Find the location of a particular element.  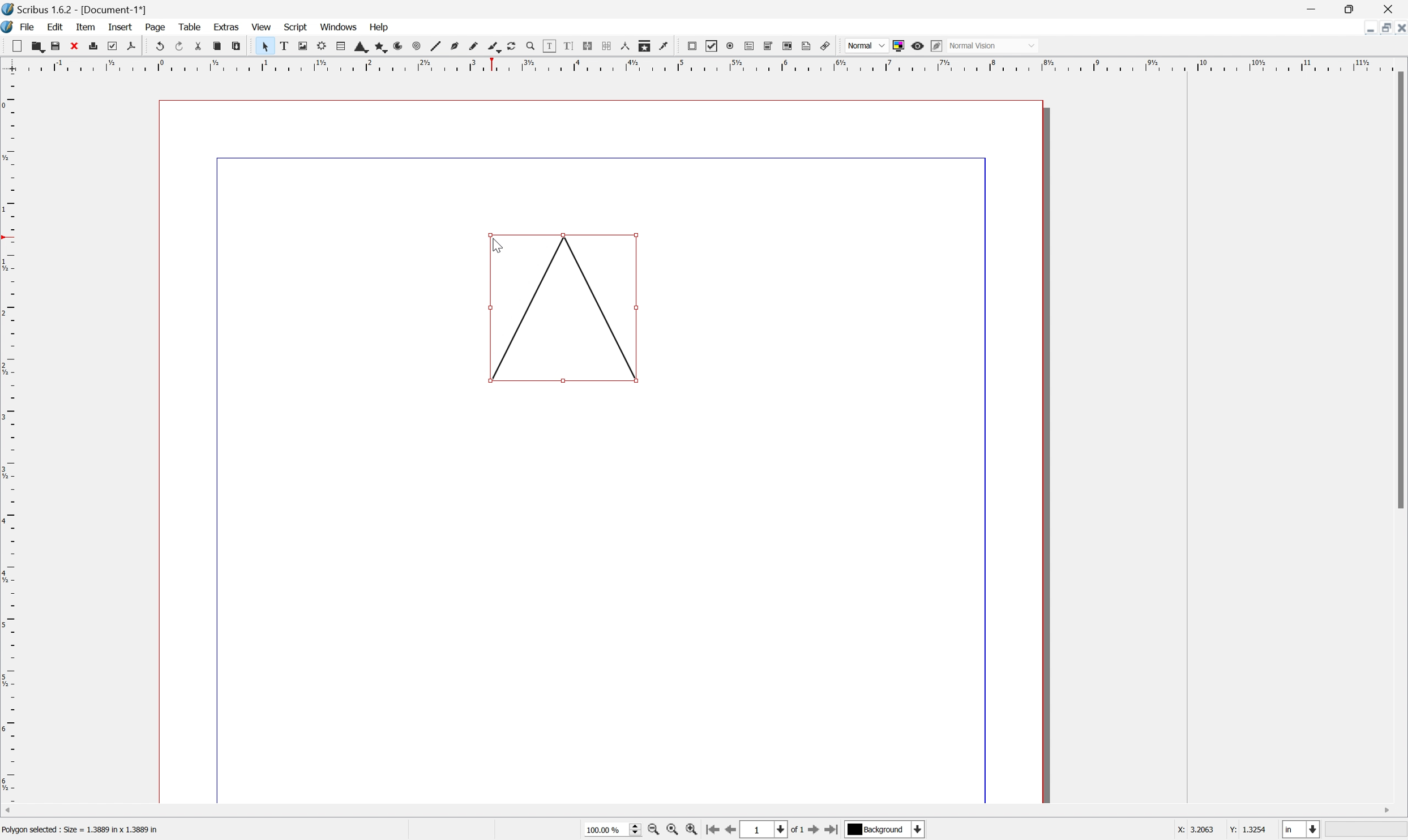

Edit is located at coordinates (57, 27).